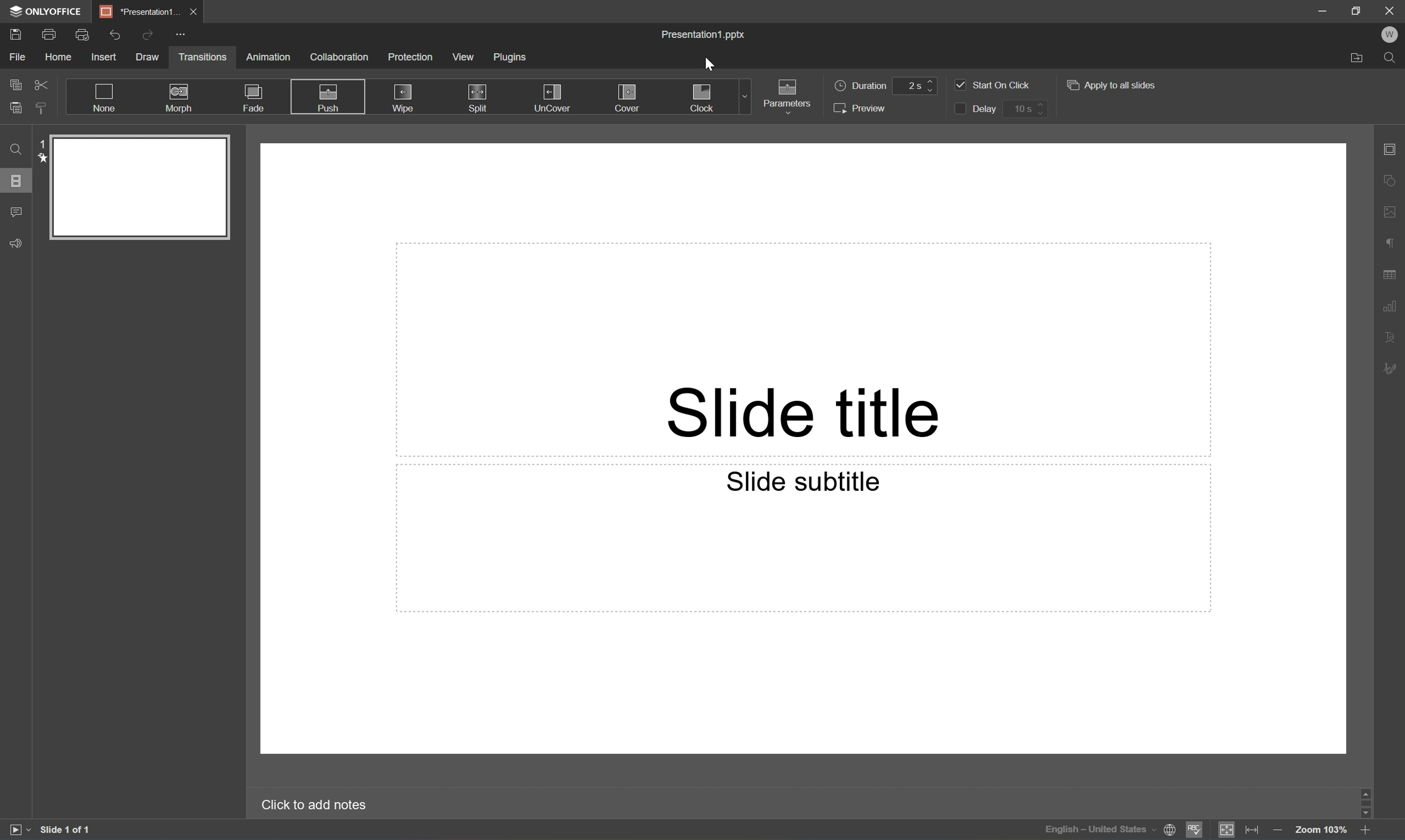 This screenshot has width=1405, height=840. I want to click on Cover, so click(630, 97).